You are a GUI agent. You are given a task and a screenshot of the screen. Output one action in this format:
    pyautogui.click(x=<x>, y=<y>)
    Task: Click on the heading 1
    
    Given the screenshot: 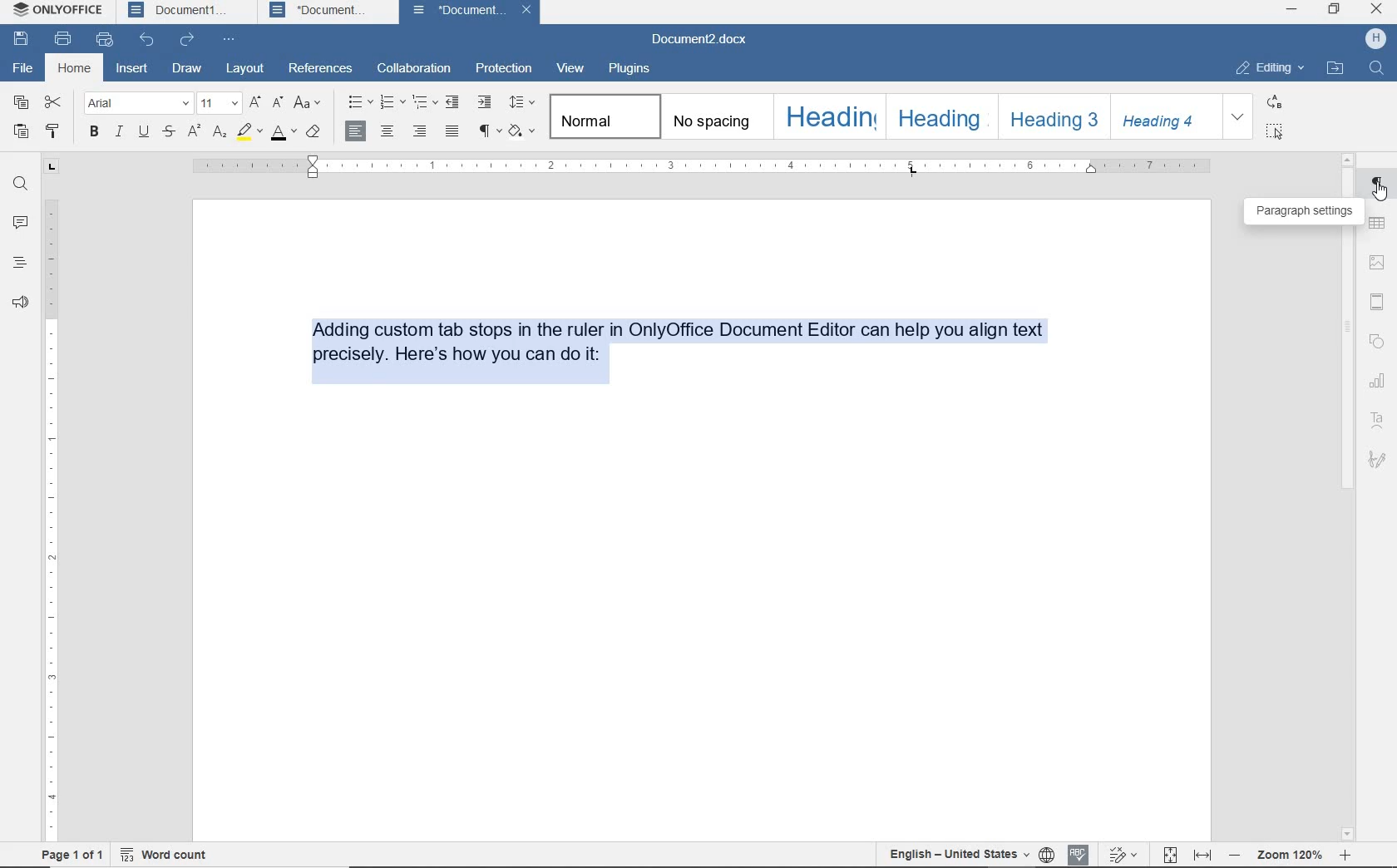 What is the action you would take?
    pyautogui.click(x=827, y=117)
    